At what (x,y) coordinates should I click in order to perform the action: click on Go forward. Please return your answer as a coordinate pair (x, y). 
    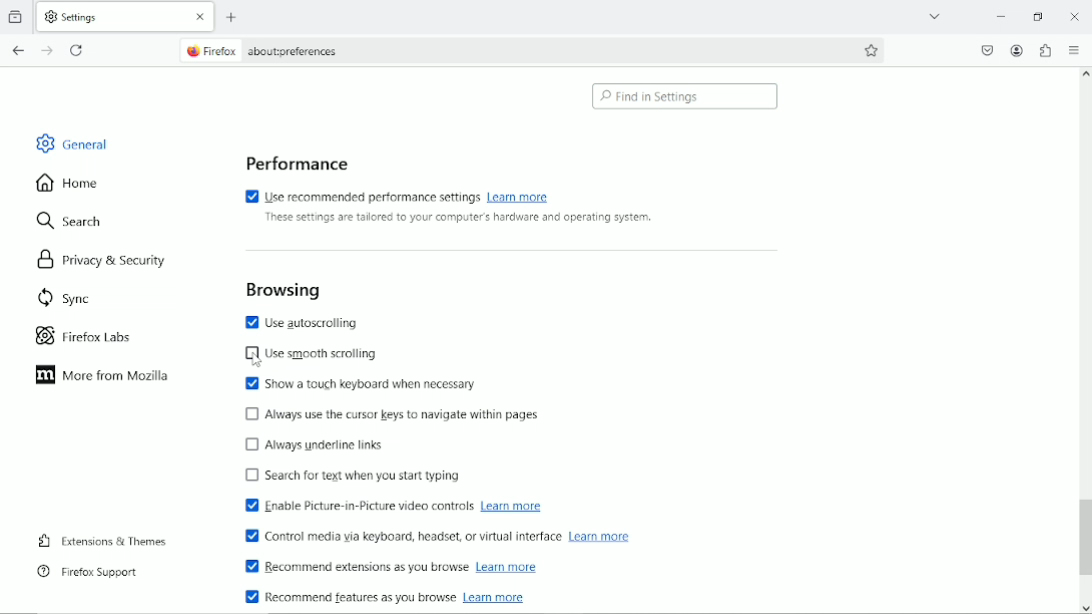
    Looking at the image, I should click on (46, 50).